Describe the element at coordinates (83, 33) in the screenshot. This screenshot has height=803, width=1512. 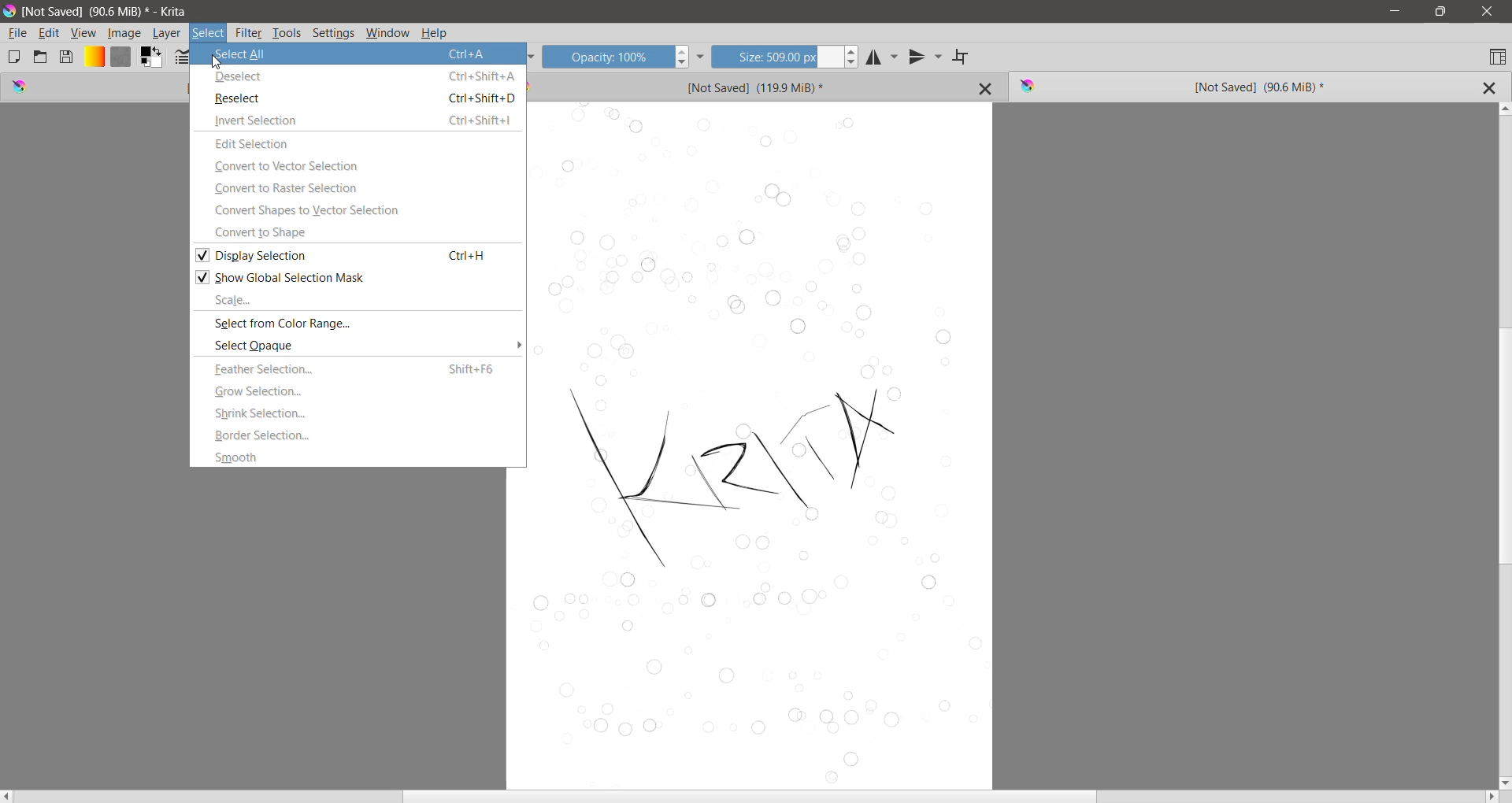
I see `View` at that location.